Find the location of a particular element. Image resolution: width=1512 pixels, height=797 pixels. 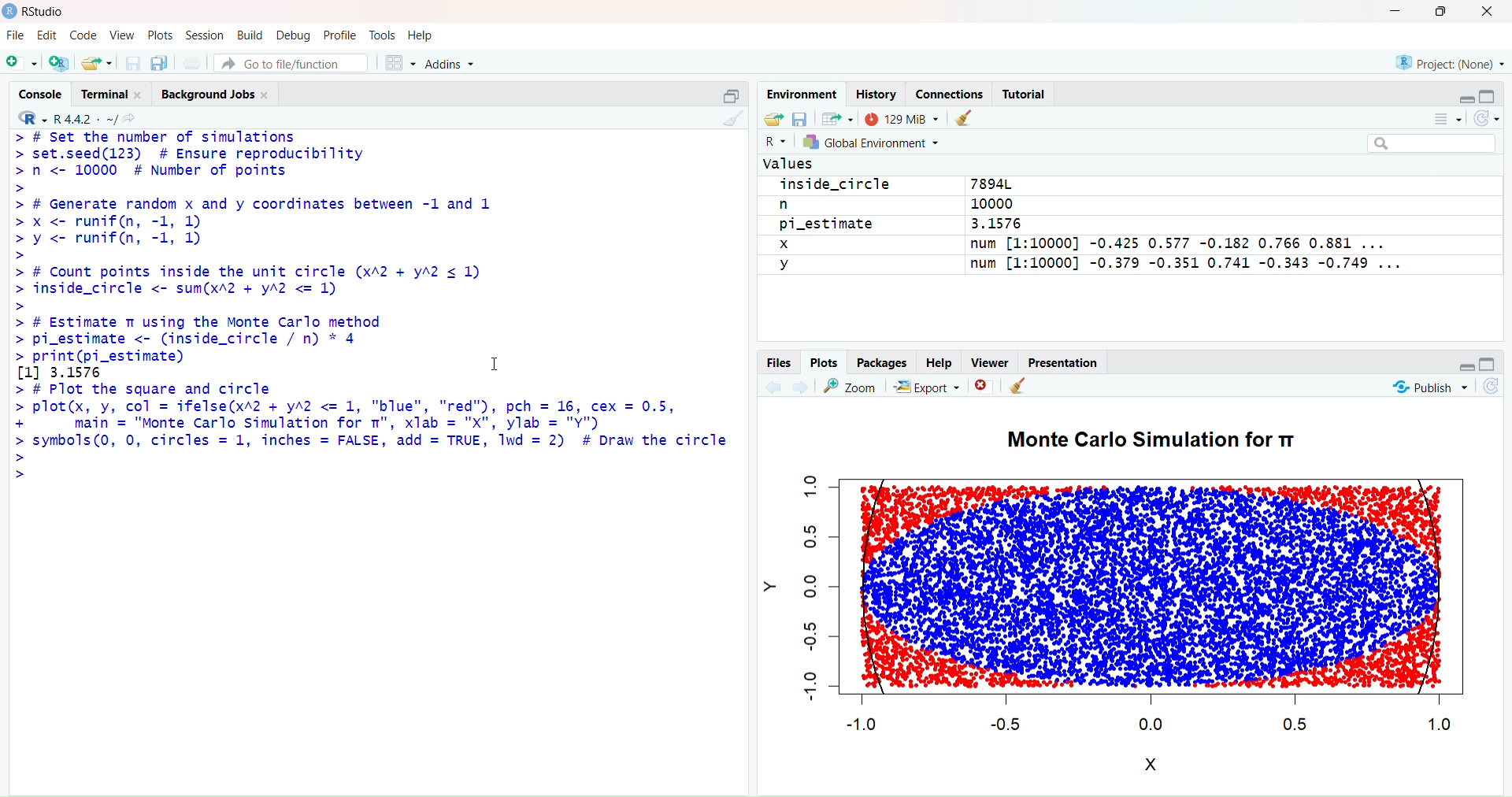

History is located at coordinates (877, 94).